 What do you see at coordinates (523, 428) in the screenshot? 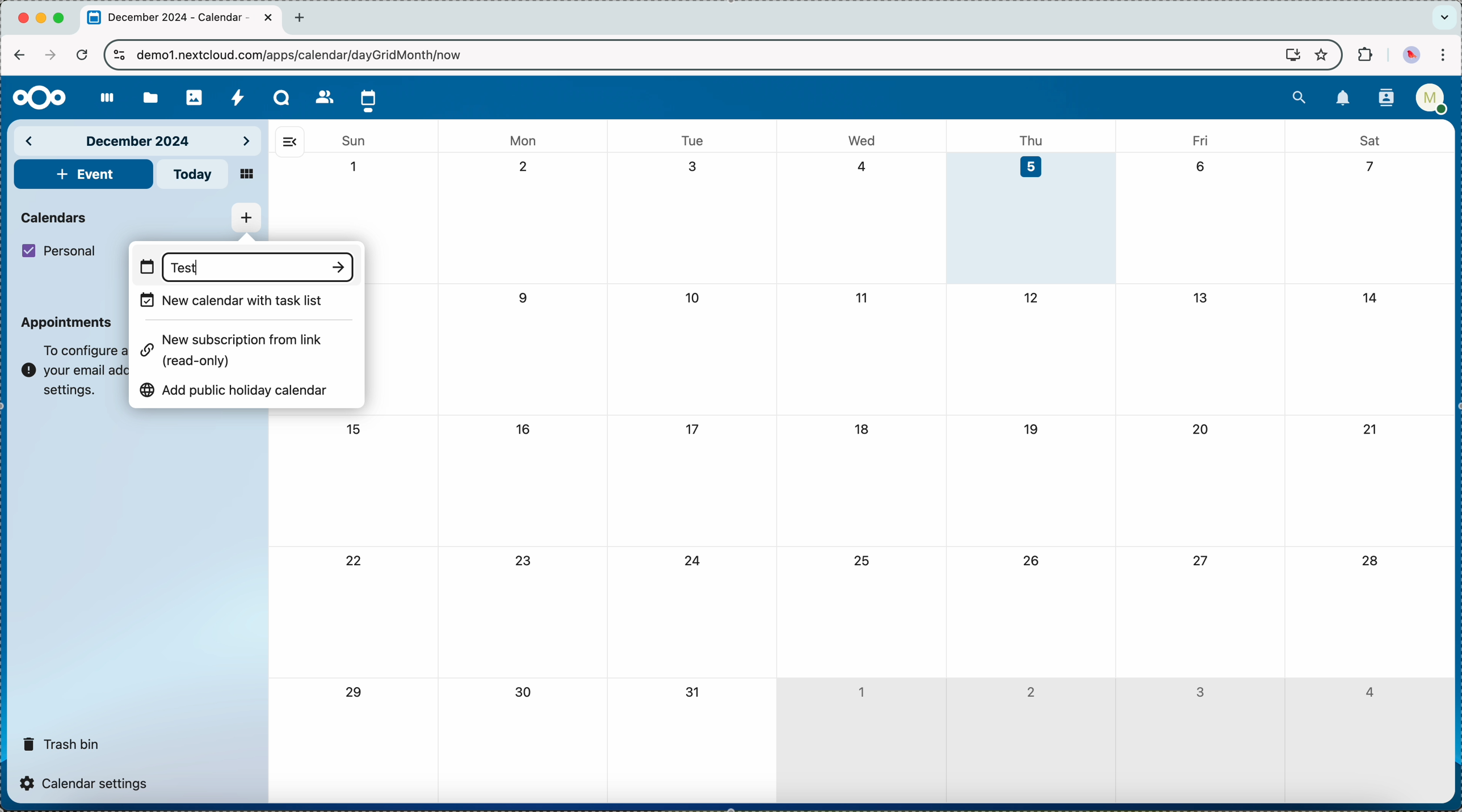
I see `16` at bounding box center [523, 428].